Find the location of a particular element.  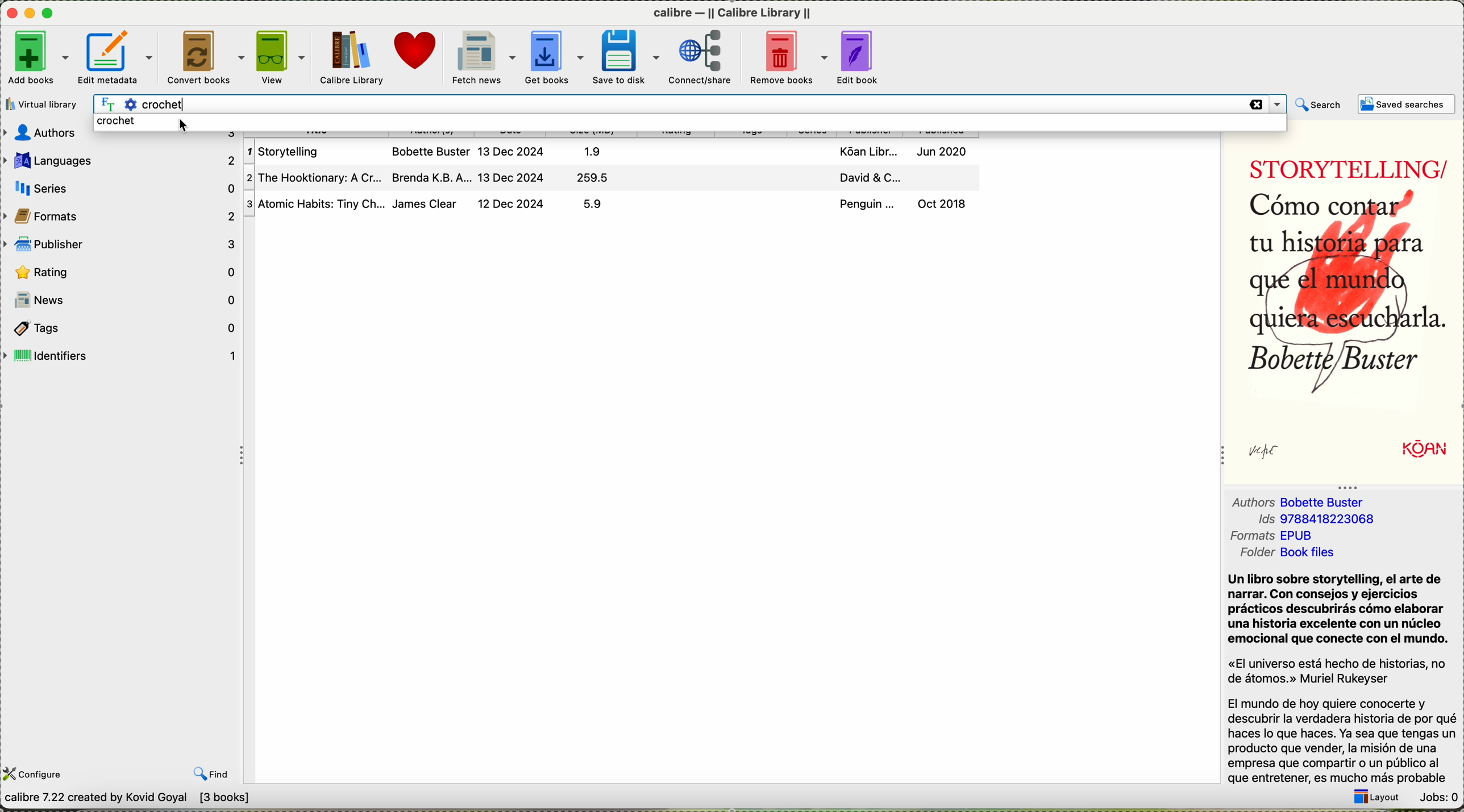

Como contar tu historia para que el mundo quiera escucharla Bobette buster is located at coordinates (1341, 293).